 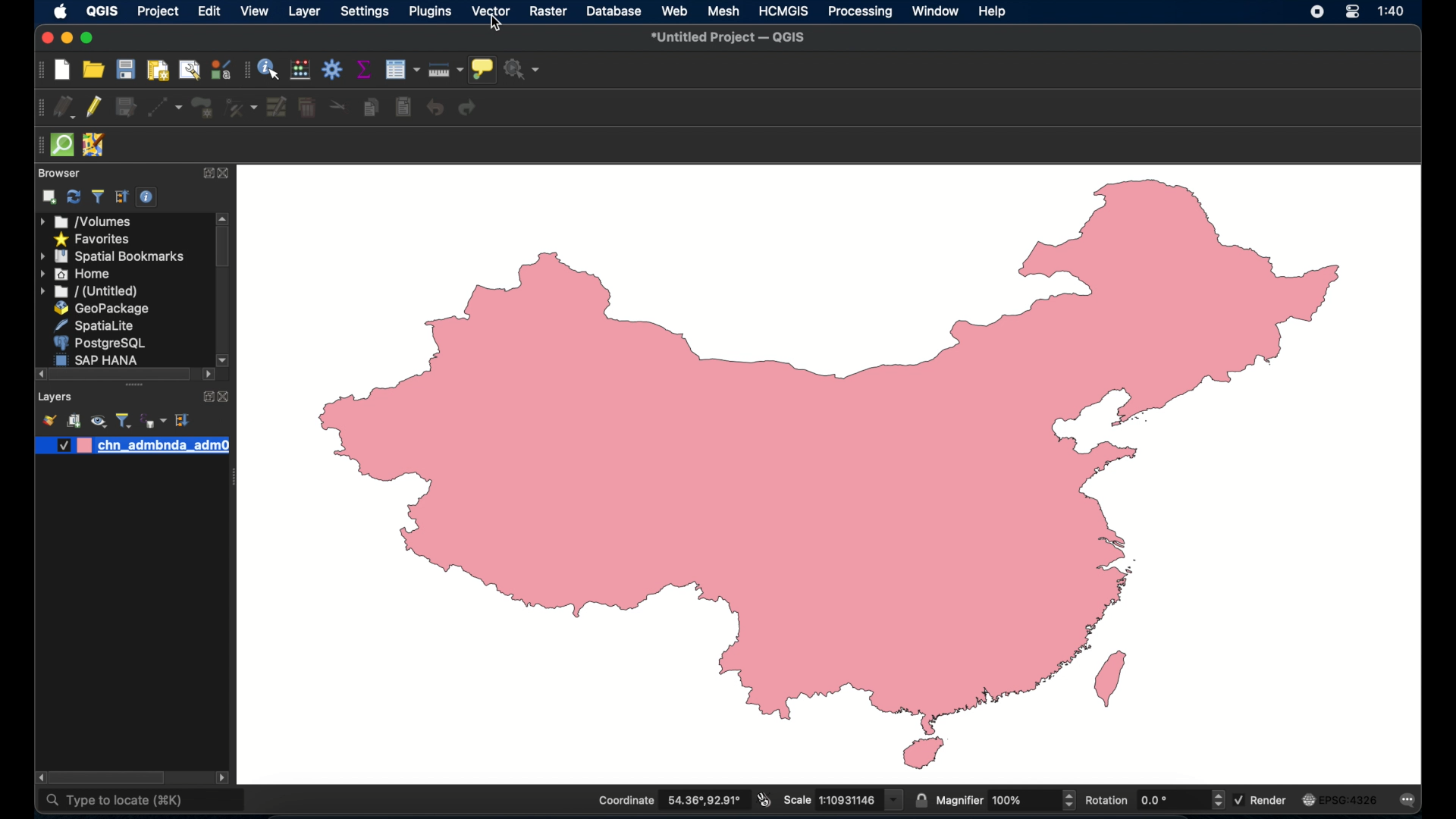 What do you see at coordinates (233, 479) in the screenshot?
I see `drag handle` at bounding box center [233, 479].